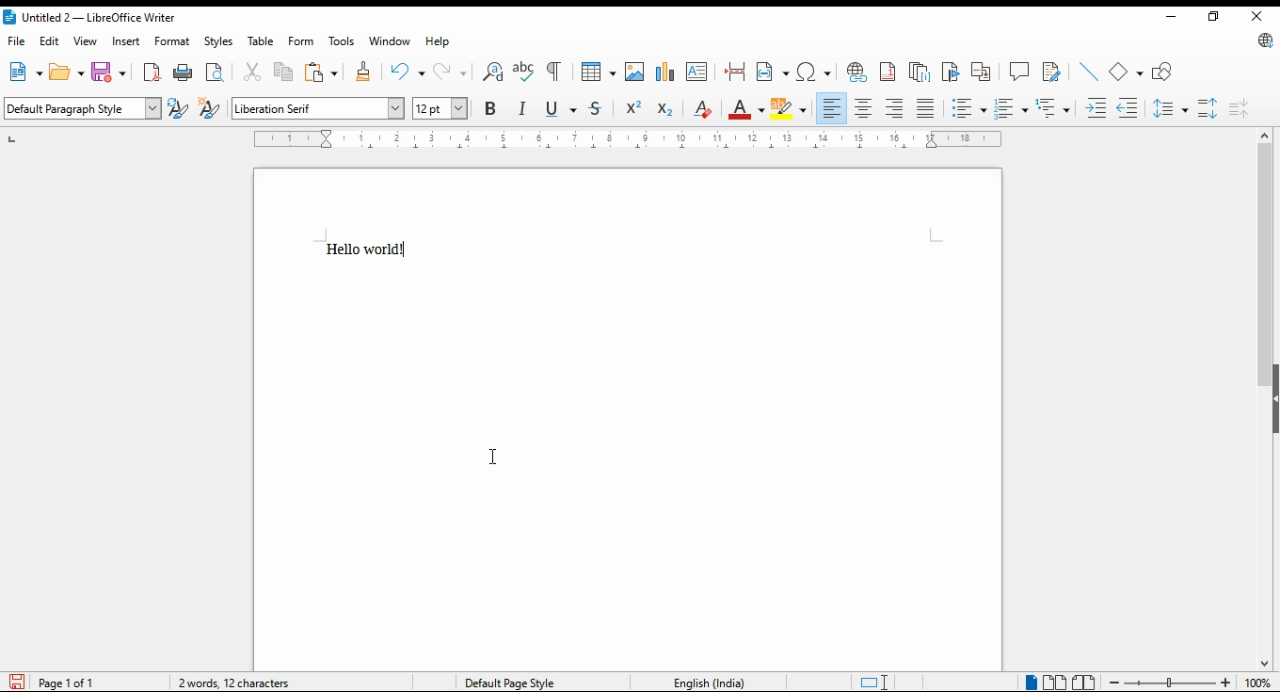  Describe the element at coordinates (664, 72) in the screenshot. I see `insert chart` at that location.